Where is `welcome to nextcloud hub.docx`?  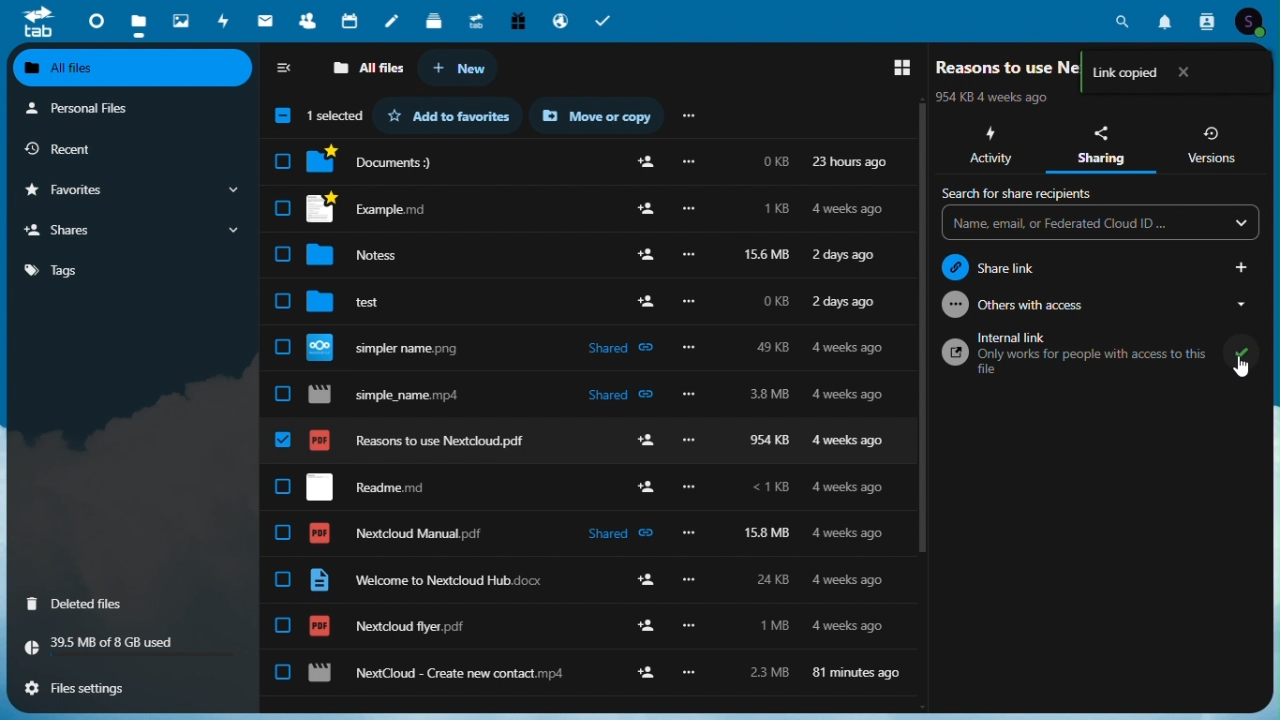 welcome to nextcloud hub.docx is located at coordinates (426, 581).